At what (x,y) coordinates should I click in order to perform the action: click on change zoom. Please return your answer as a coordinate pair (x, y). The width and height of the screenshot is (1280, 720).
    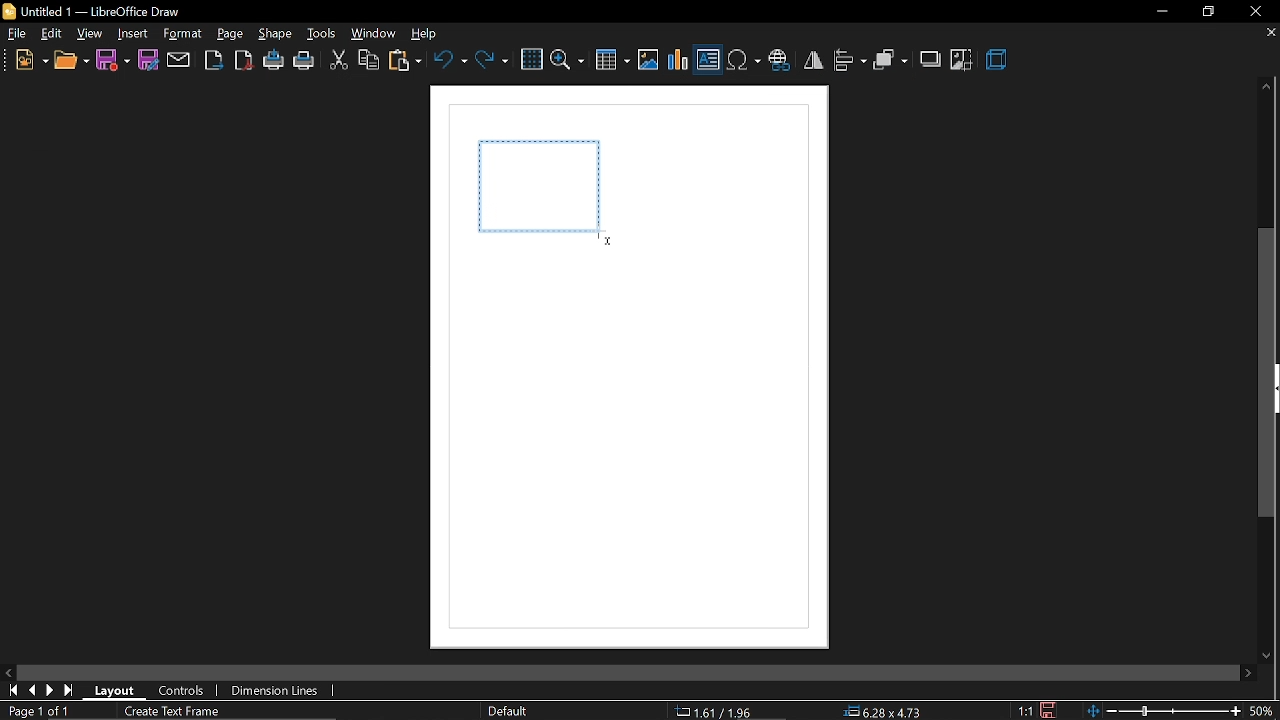
    Looking at the image, I should click on (1166, 711).